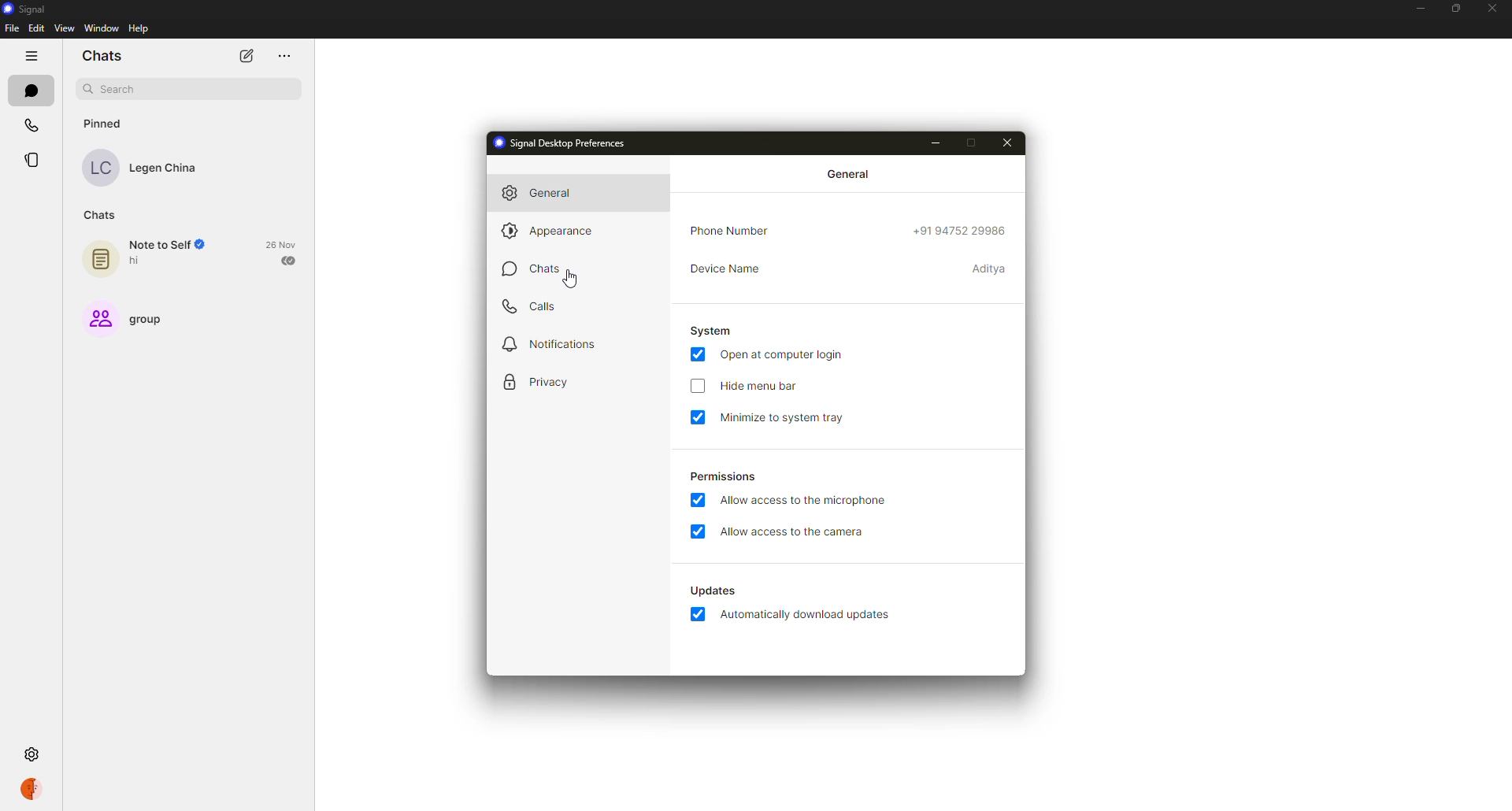 This screenshot has width=1512, height=811. Describe the element at coordinates (1493, 8) in the screenshot. I see `close` at that location.